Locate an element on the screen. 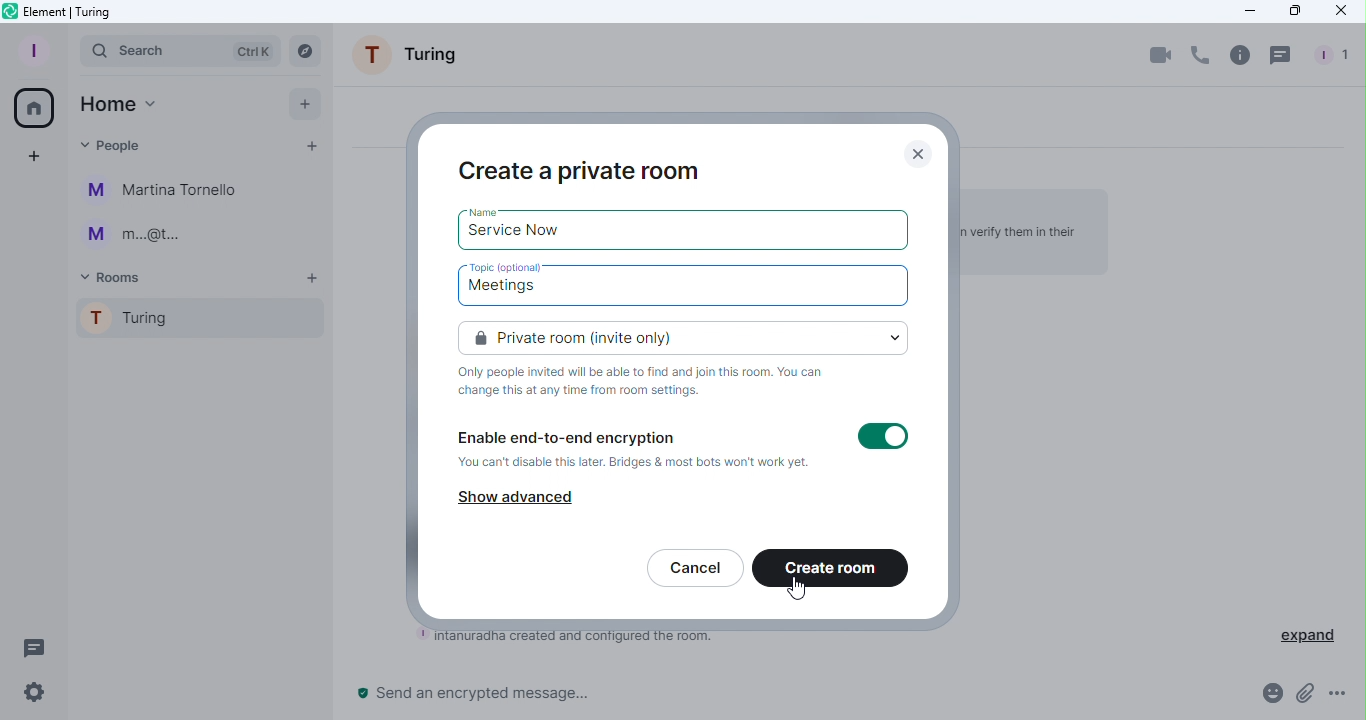 The image size is (1366, 720). Rooms is located at coordinates (116, 276).